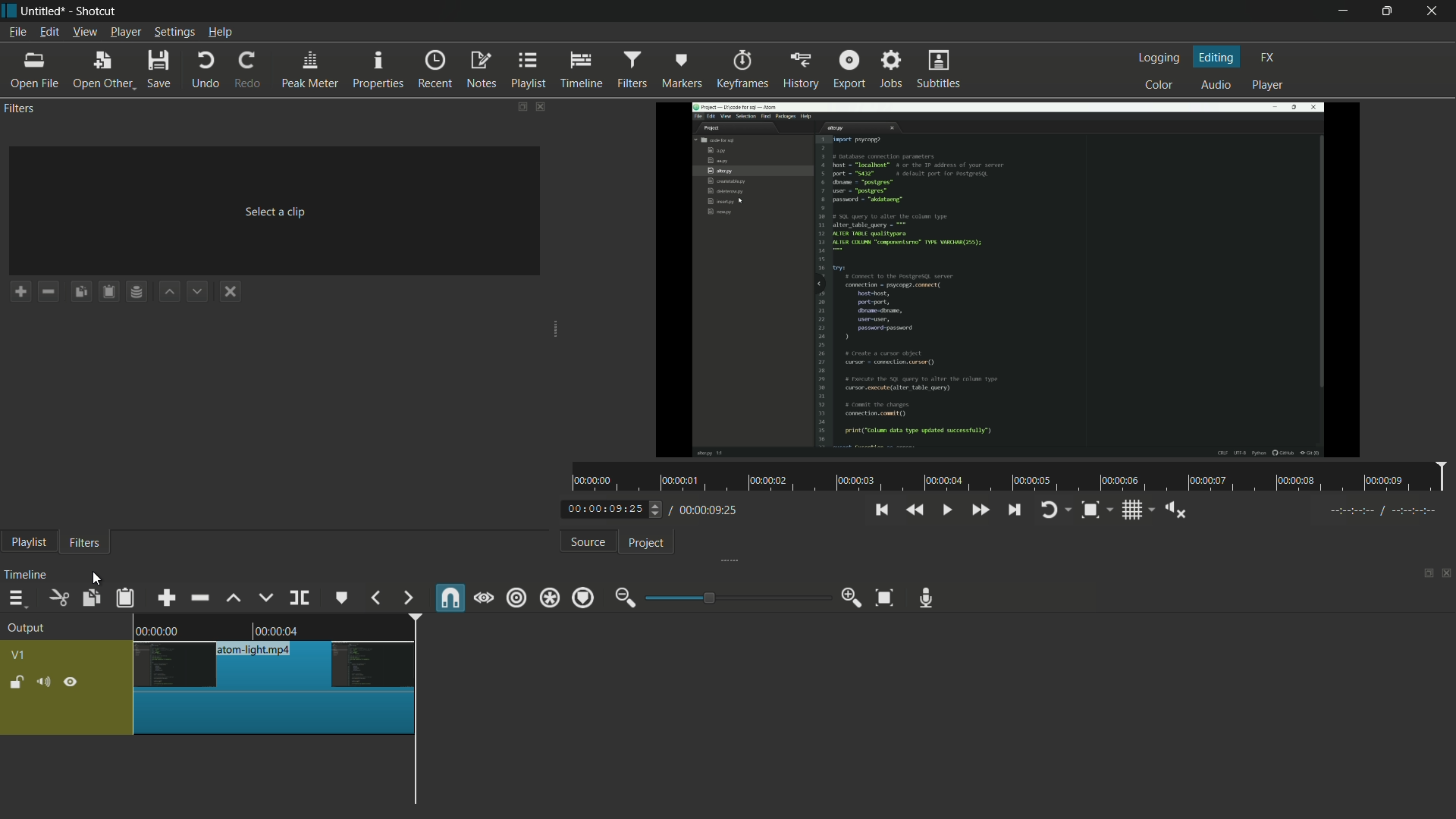  Describe the element at coordinates (682, 71) in the screenshot. I see `markers` at that location.